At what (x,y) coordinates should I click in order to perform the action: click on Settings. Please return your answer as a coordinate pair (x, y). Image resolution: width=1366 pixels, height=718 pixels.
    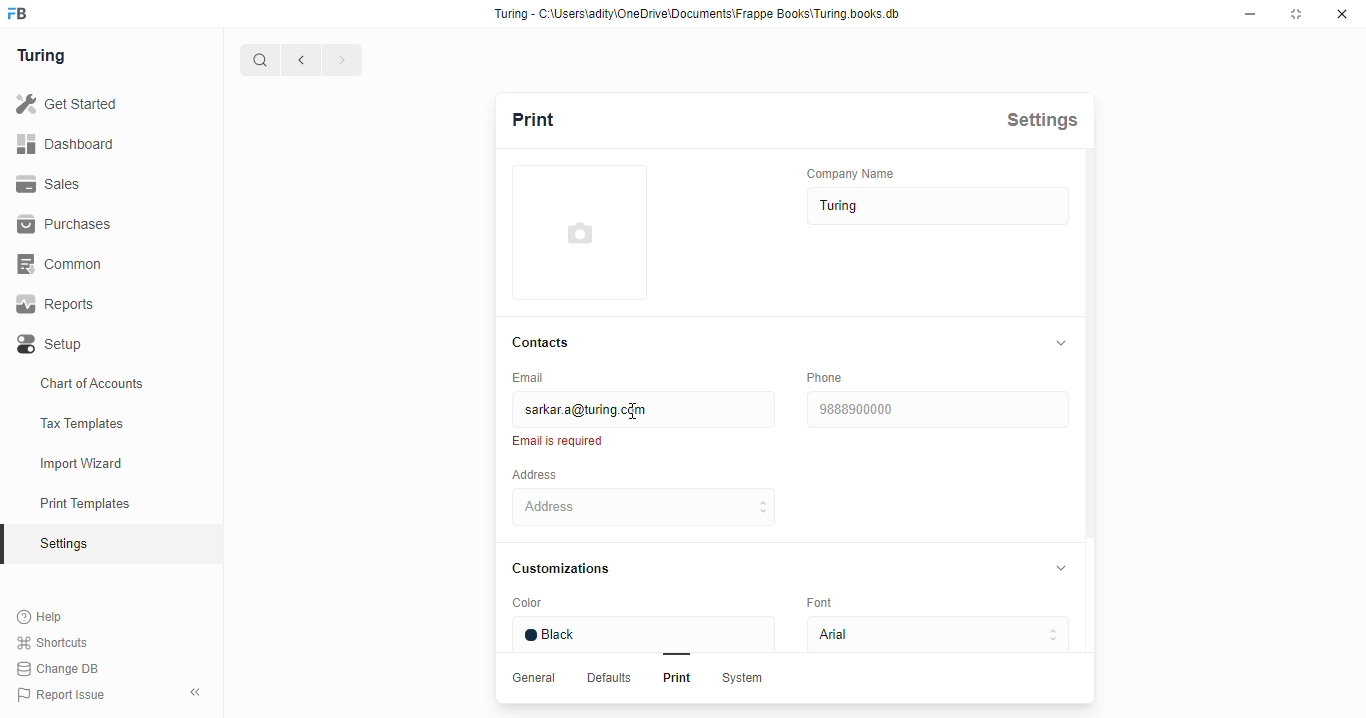
    Looking at the image, I should click on (1049, 119).